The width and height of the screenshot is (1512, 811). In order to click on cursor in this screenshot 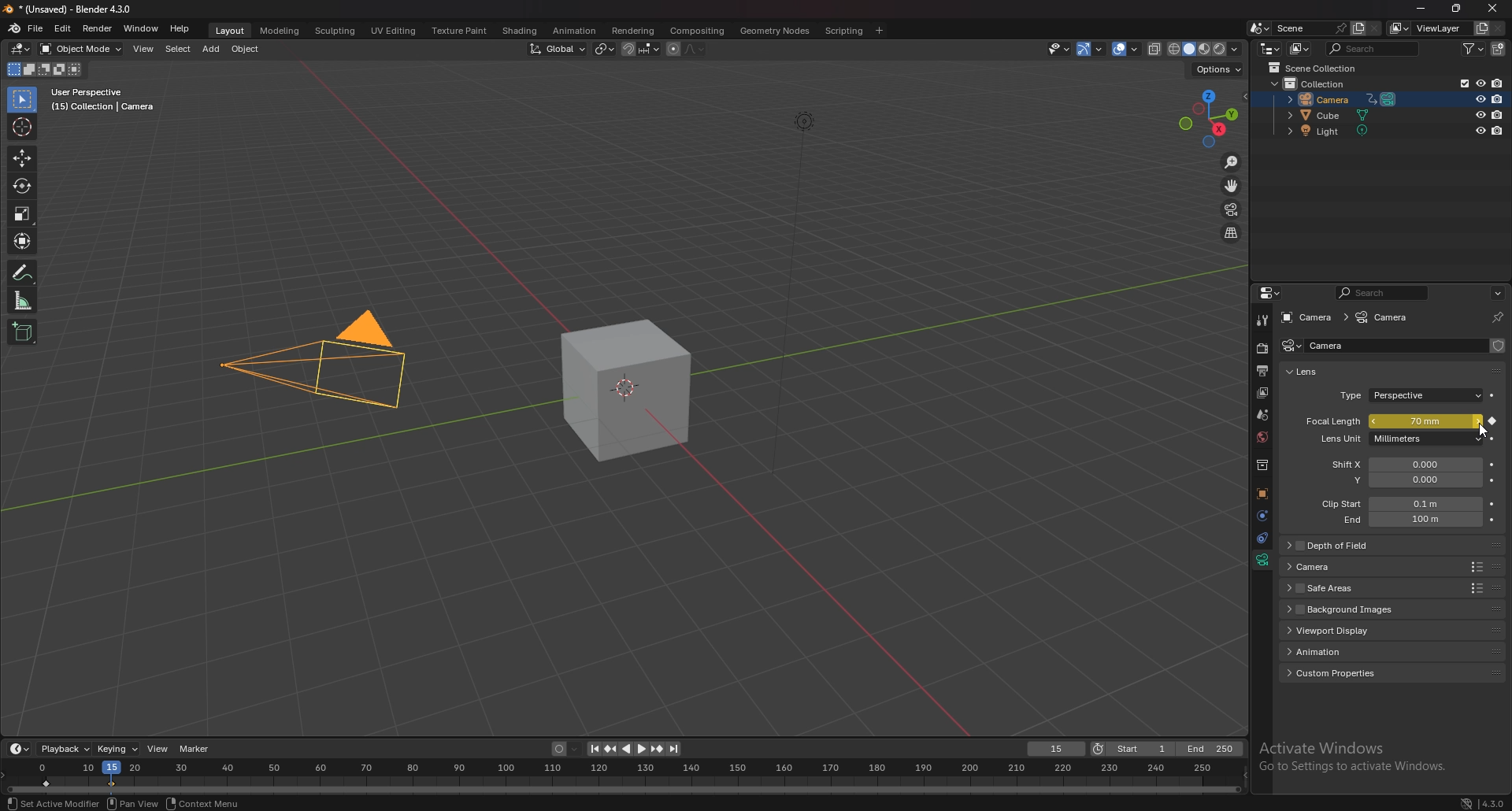, I will do `click(24, 126)`.